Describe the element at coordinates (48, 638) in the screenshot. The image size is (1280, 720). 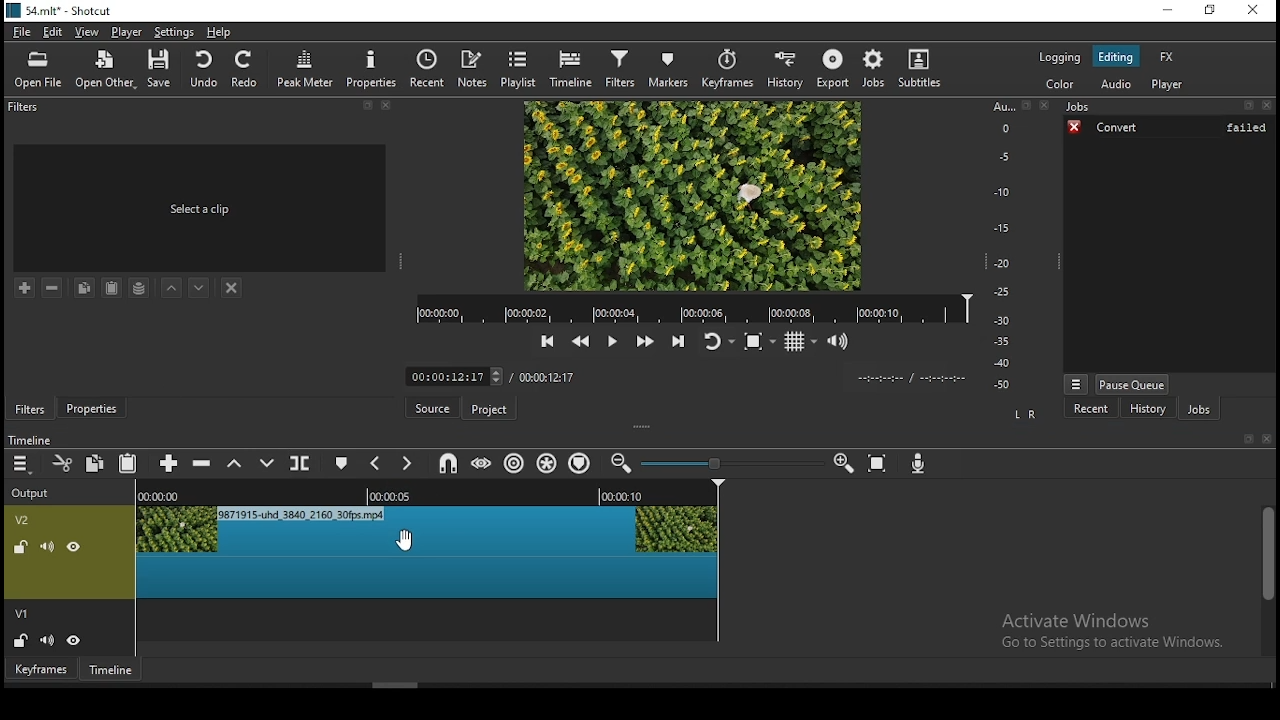
I see `(un)mute` at that location.